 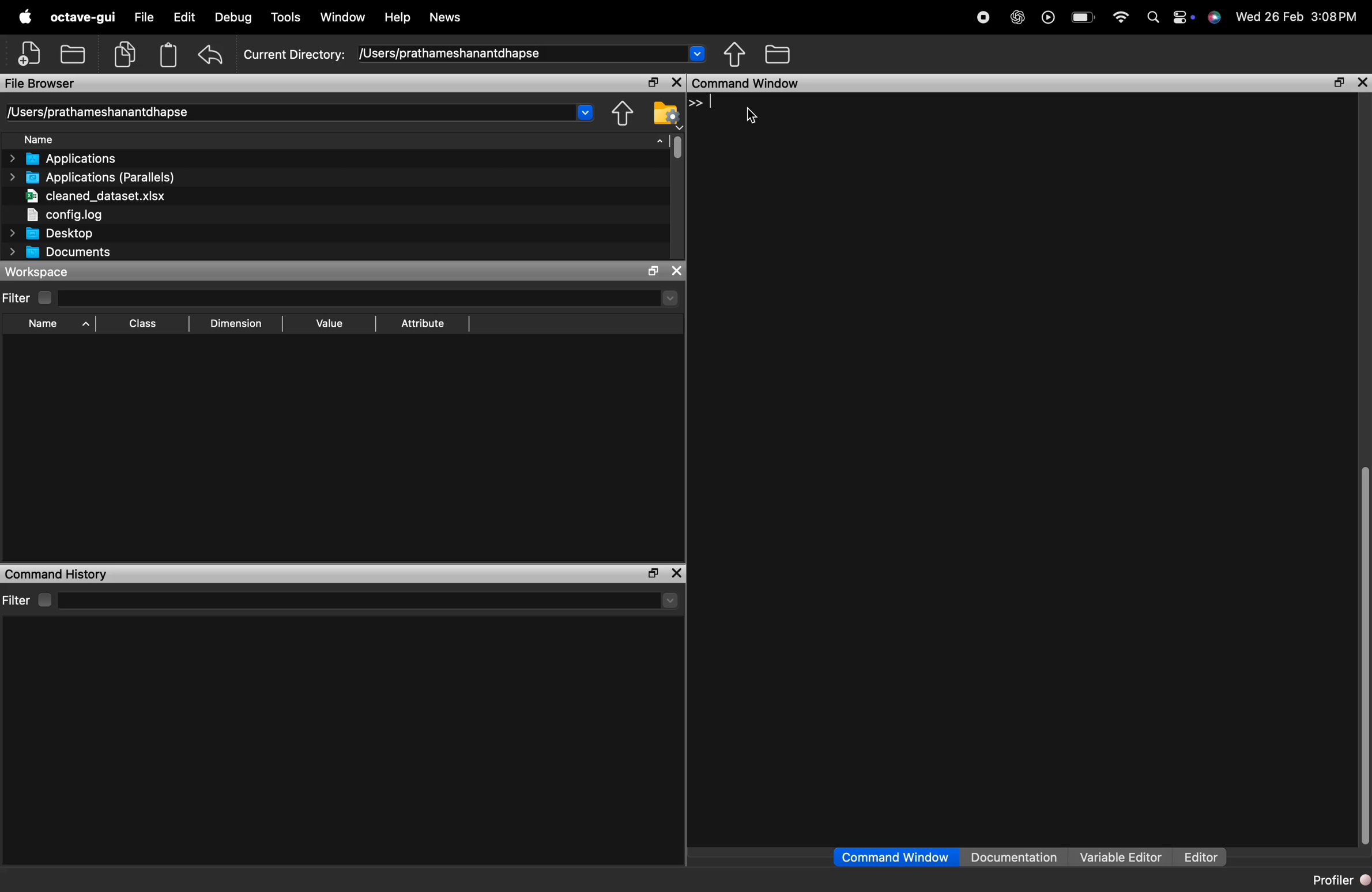 What do you see at coordinates (620, 114) in the screenshot?
I see `Directory settings` at bounding box center [620, 114].